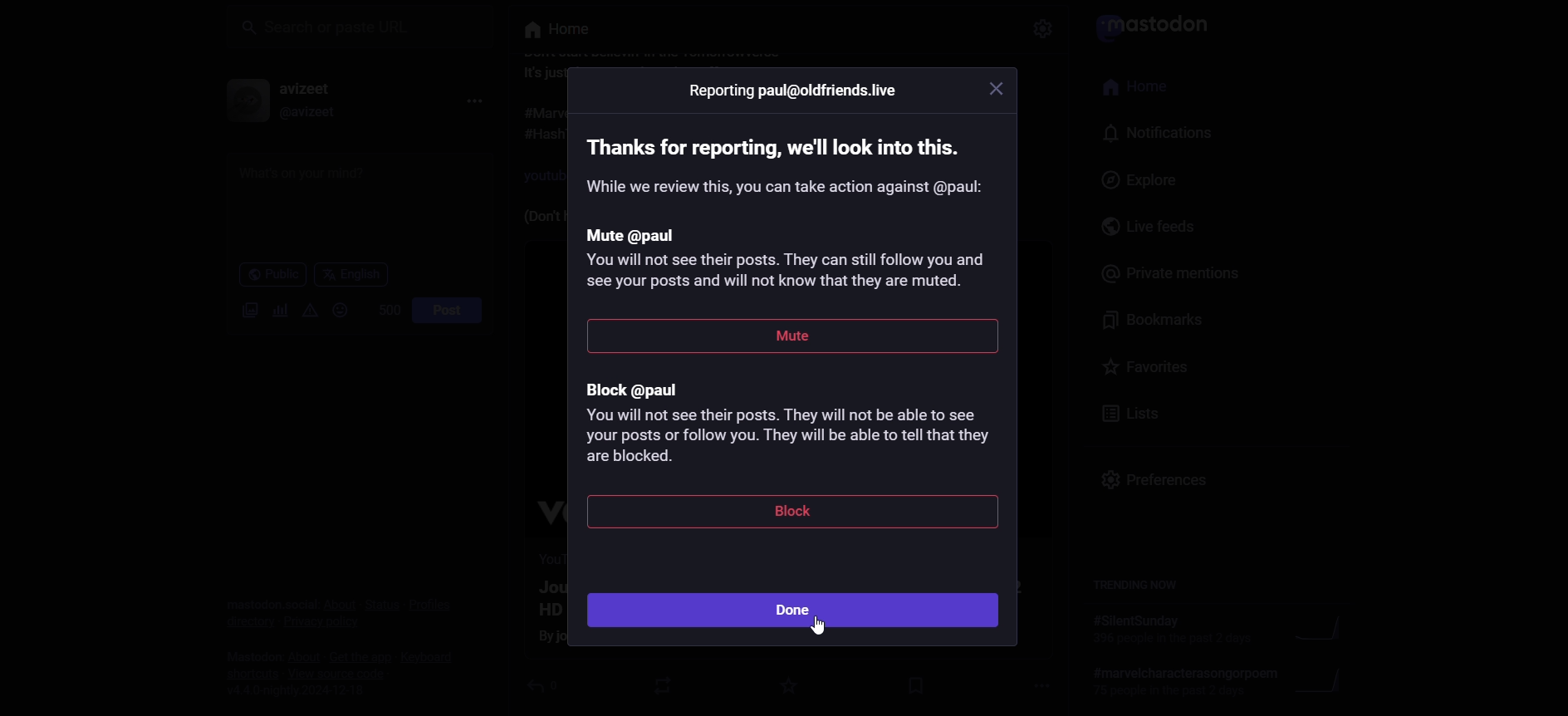 The width and height of the screenshot is (1568, 716). What do you see at coordinates (997, 86) in the screenshot?
I see `` at bounding box center [997, 86].